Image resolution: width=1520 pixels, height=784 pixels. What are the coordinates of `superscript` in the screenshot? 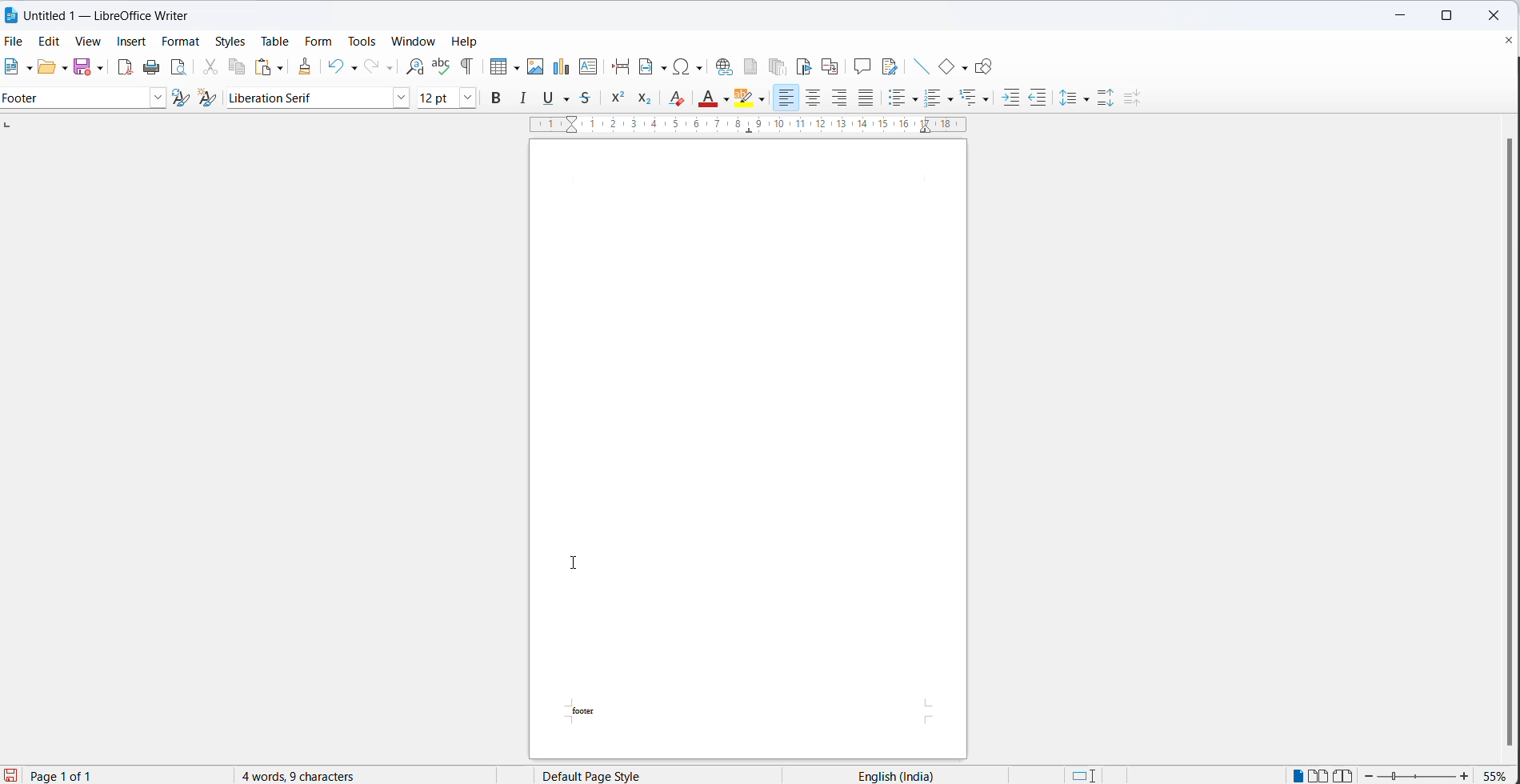 It's located at (619, 98).